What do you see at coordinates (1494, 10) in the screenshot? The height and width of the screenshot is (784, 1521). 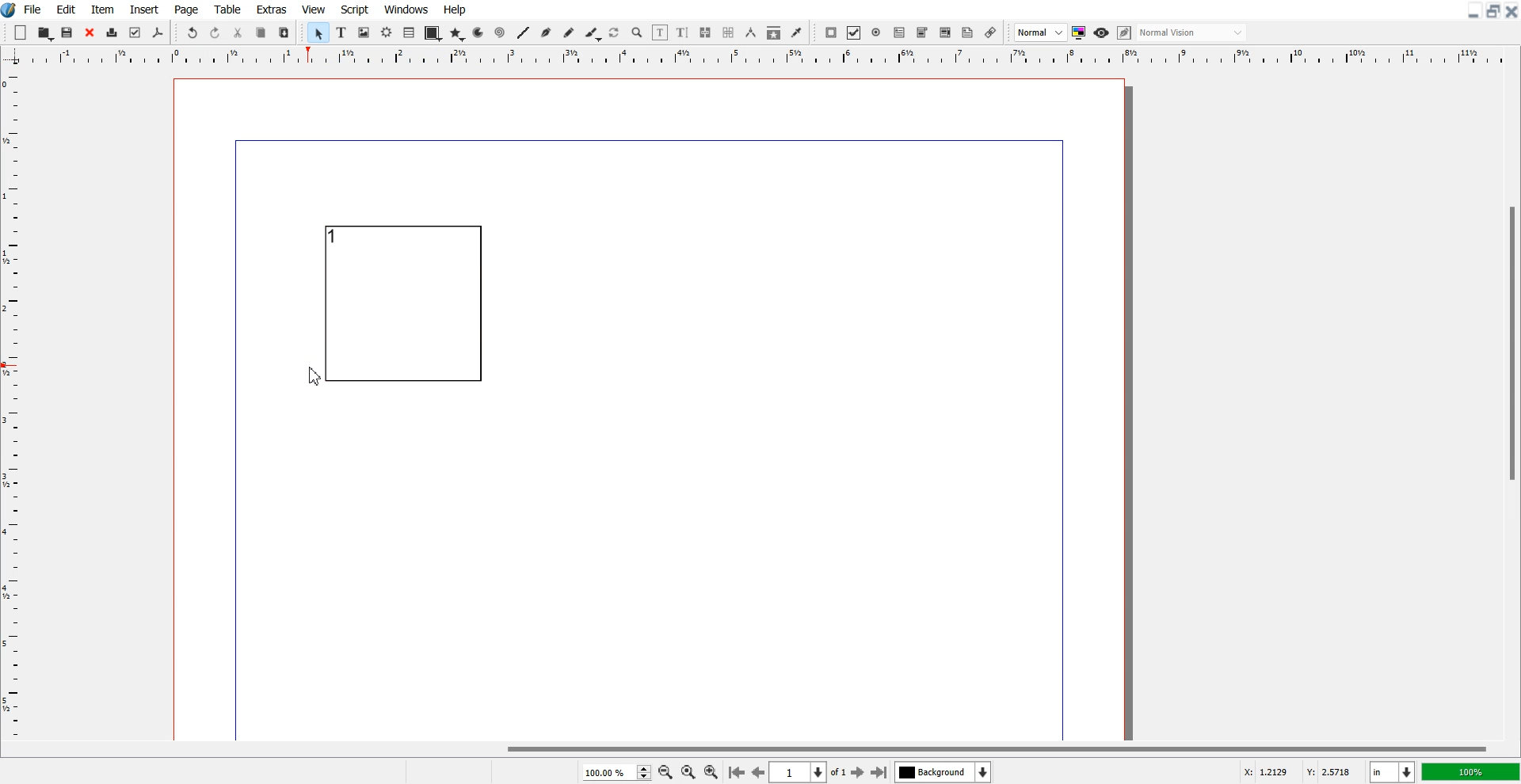 I see `Maximize` at bounding box center [1494, 10].